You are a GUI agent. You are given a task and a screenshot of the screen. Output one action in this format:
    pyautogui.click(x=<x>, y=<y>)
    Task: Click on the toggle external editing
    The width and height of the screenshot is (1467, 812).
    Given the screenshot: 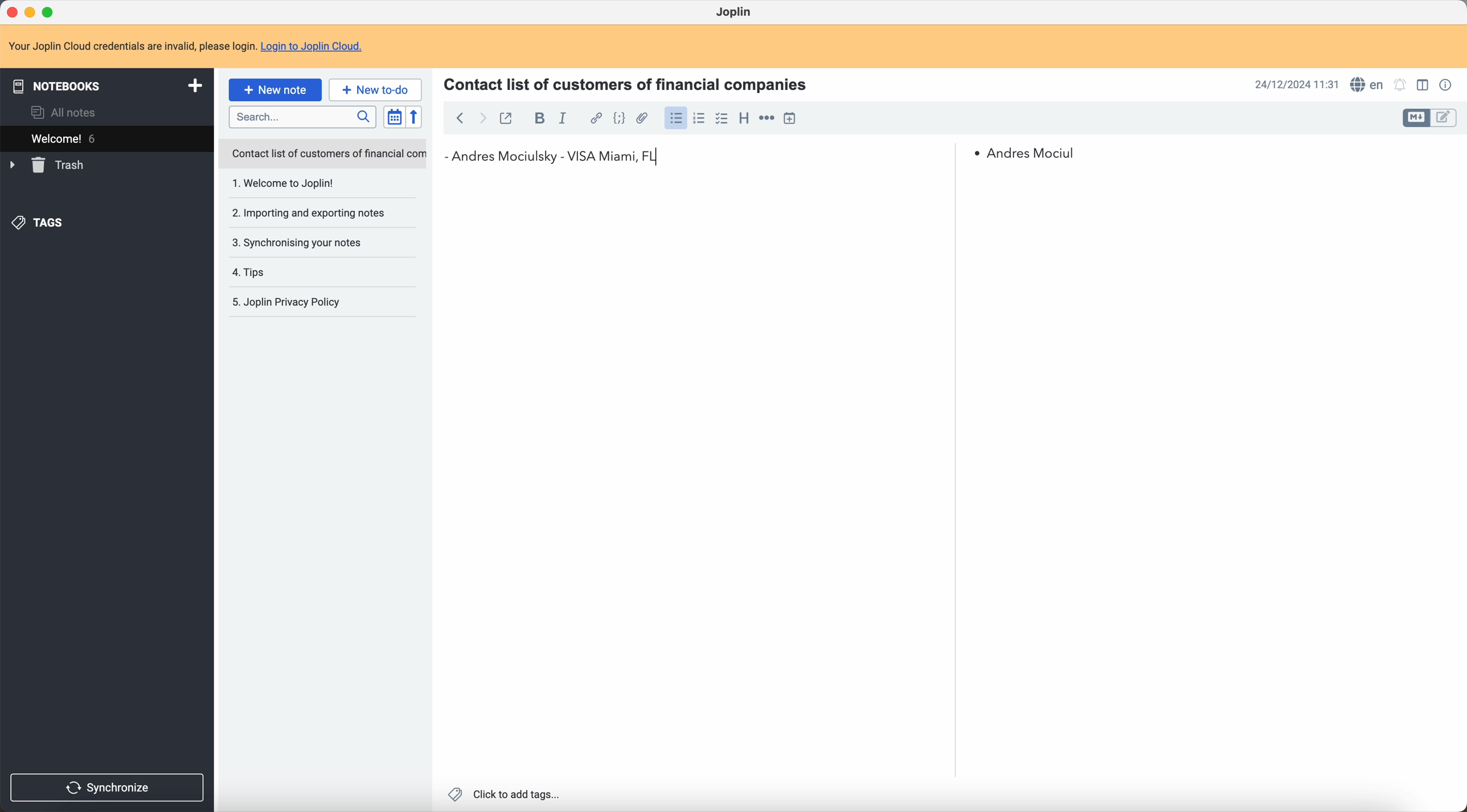 What is the action you would take?
    pyautogui.click(x=509, y=117)
    